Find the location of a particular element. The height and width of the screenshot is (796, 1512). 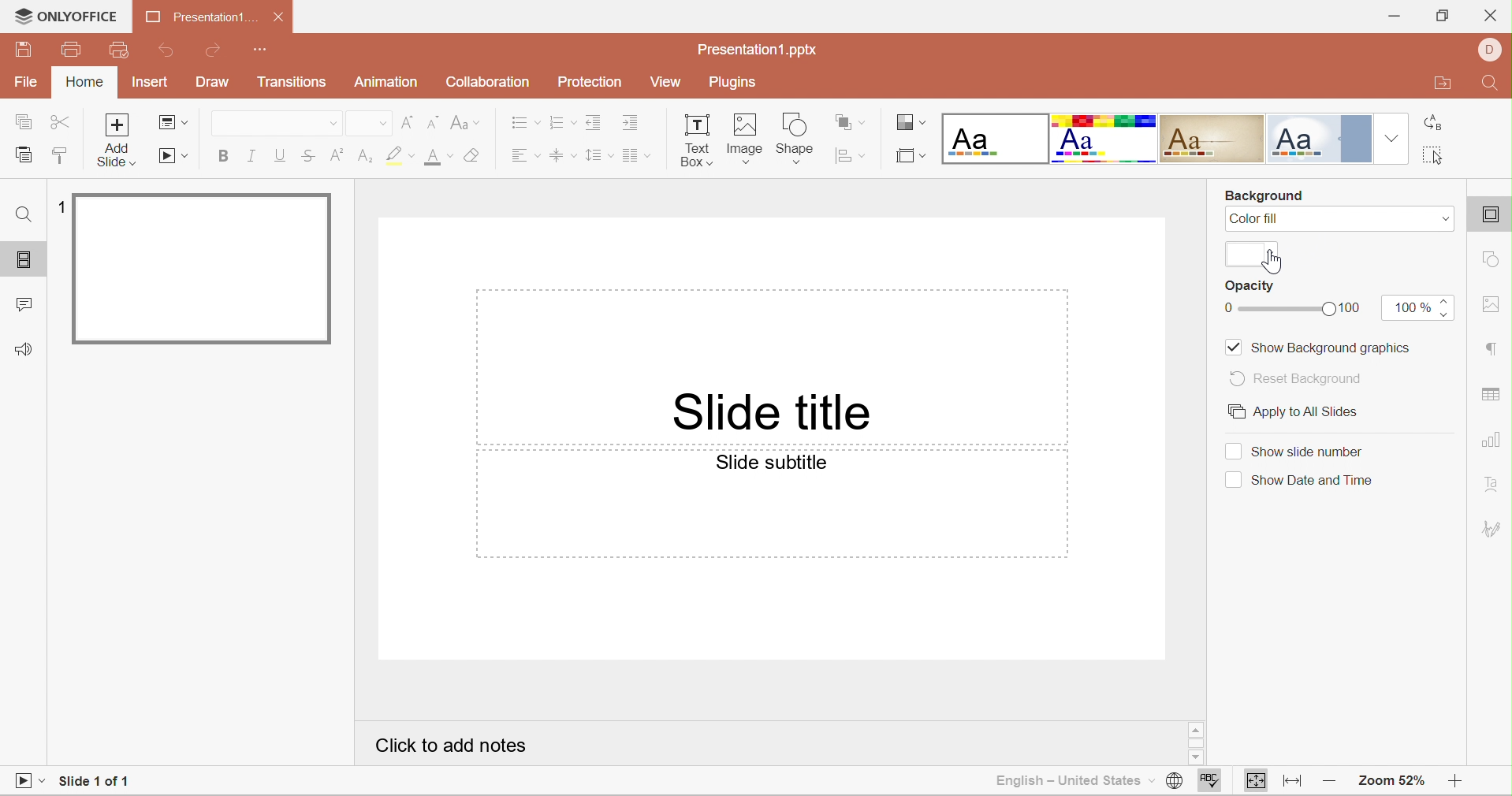

Strikethrough is located at coordinates (307, 158).